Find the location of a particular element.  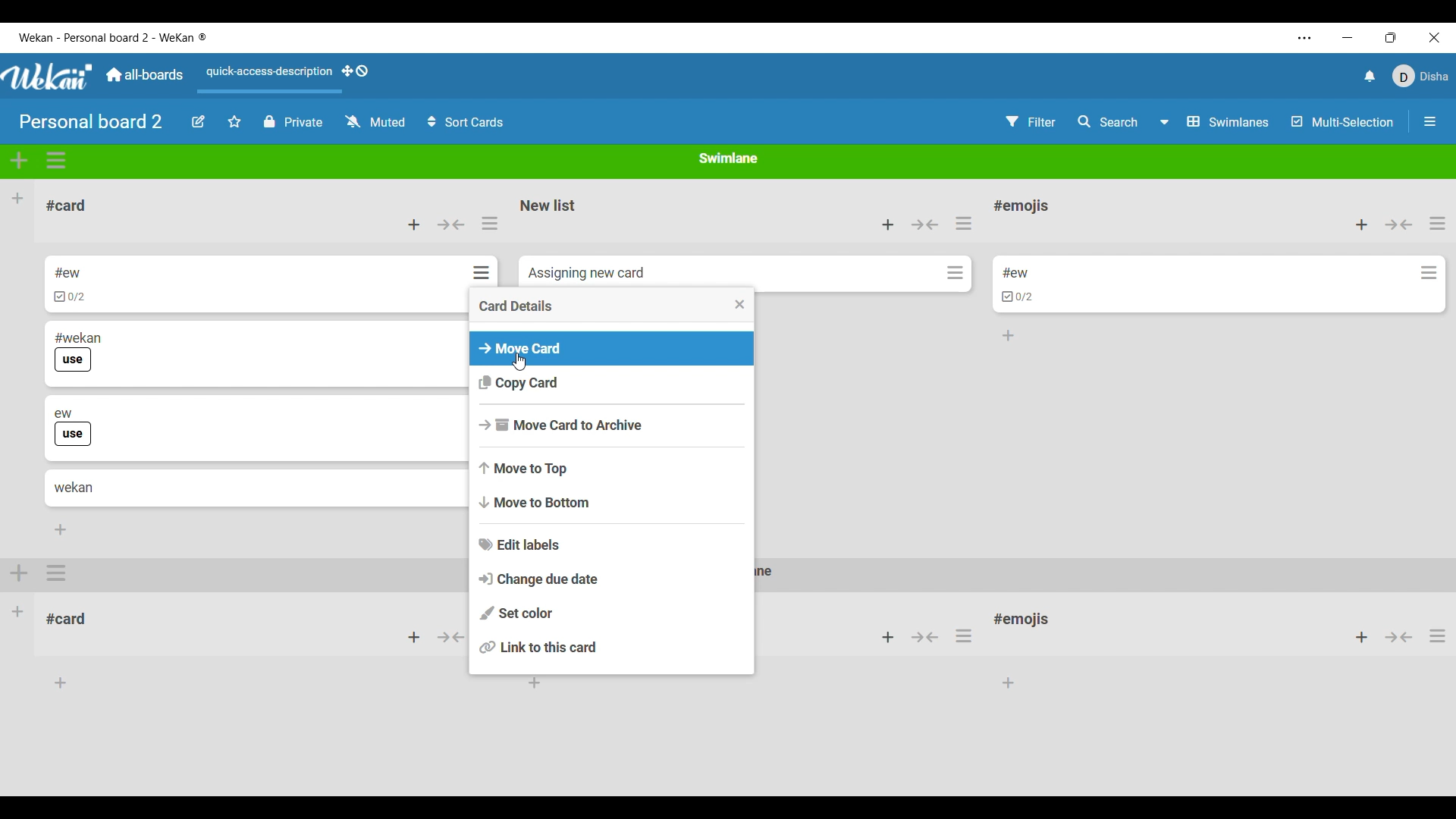

add is located at coordinates (413, 638).